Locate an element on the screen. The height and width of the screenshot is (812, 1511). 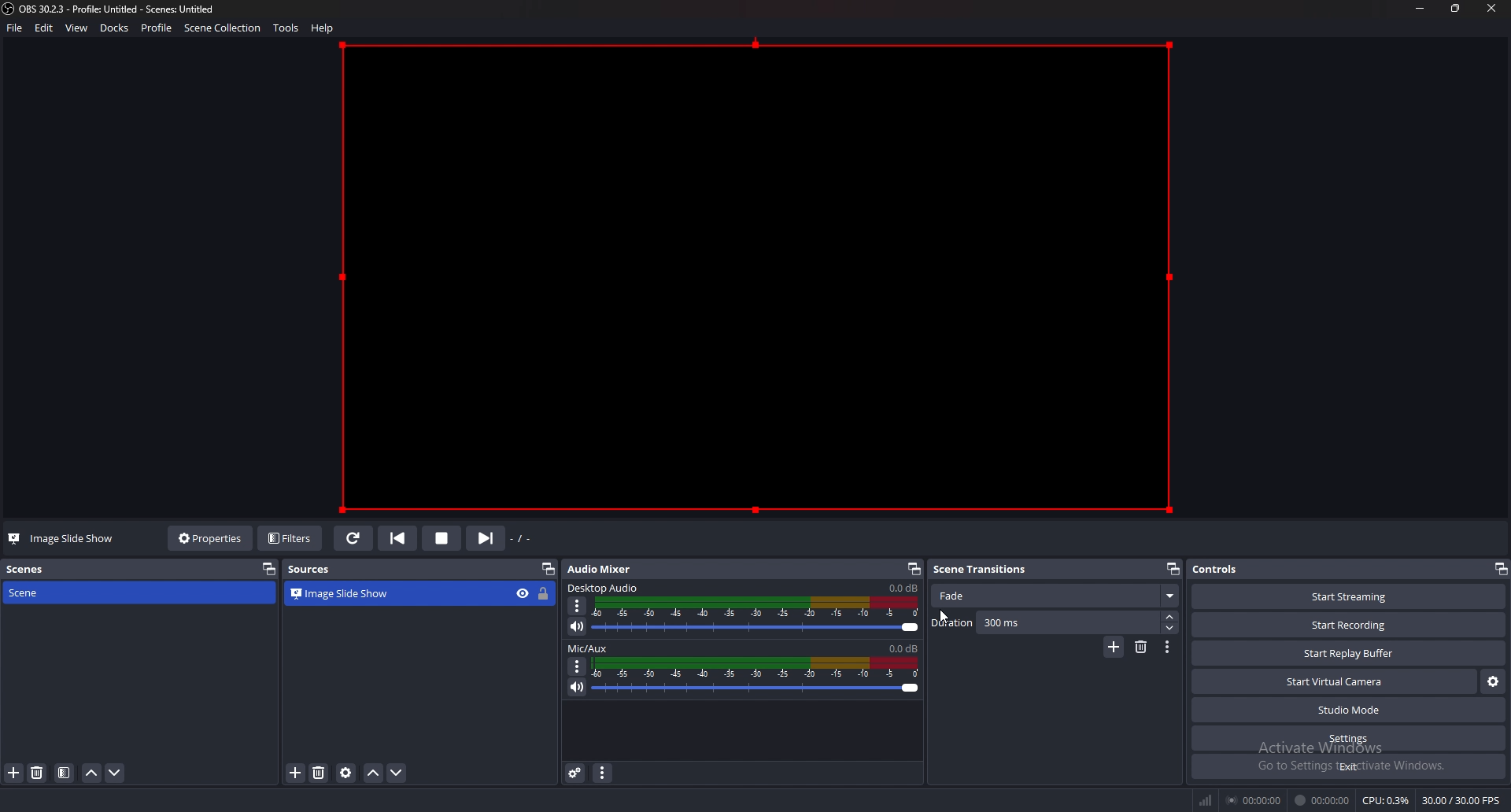
start replay buffer is located at coordinates (1350, 653).